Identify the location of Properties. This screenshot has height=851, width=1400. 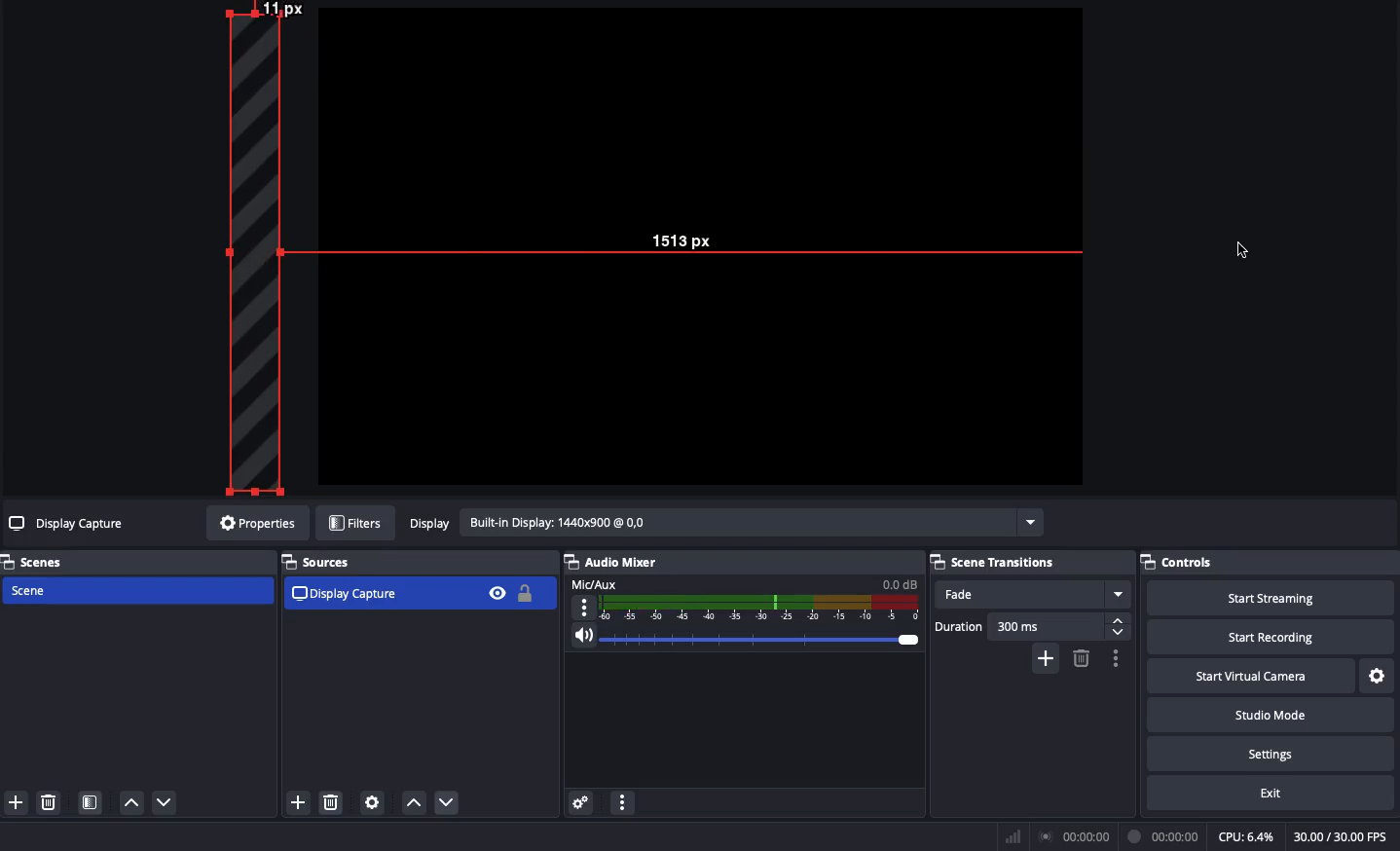
(254, 523).